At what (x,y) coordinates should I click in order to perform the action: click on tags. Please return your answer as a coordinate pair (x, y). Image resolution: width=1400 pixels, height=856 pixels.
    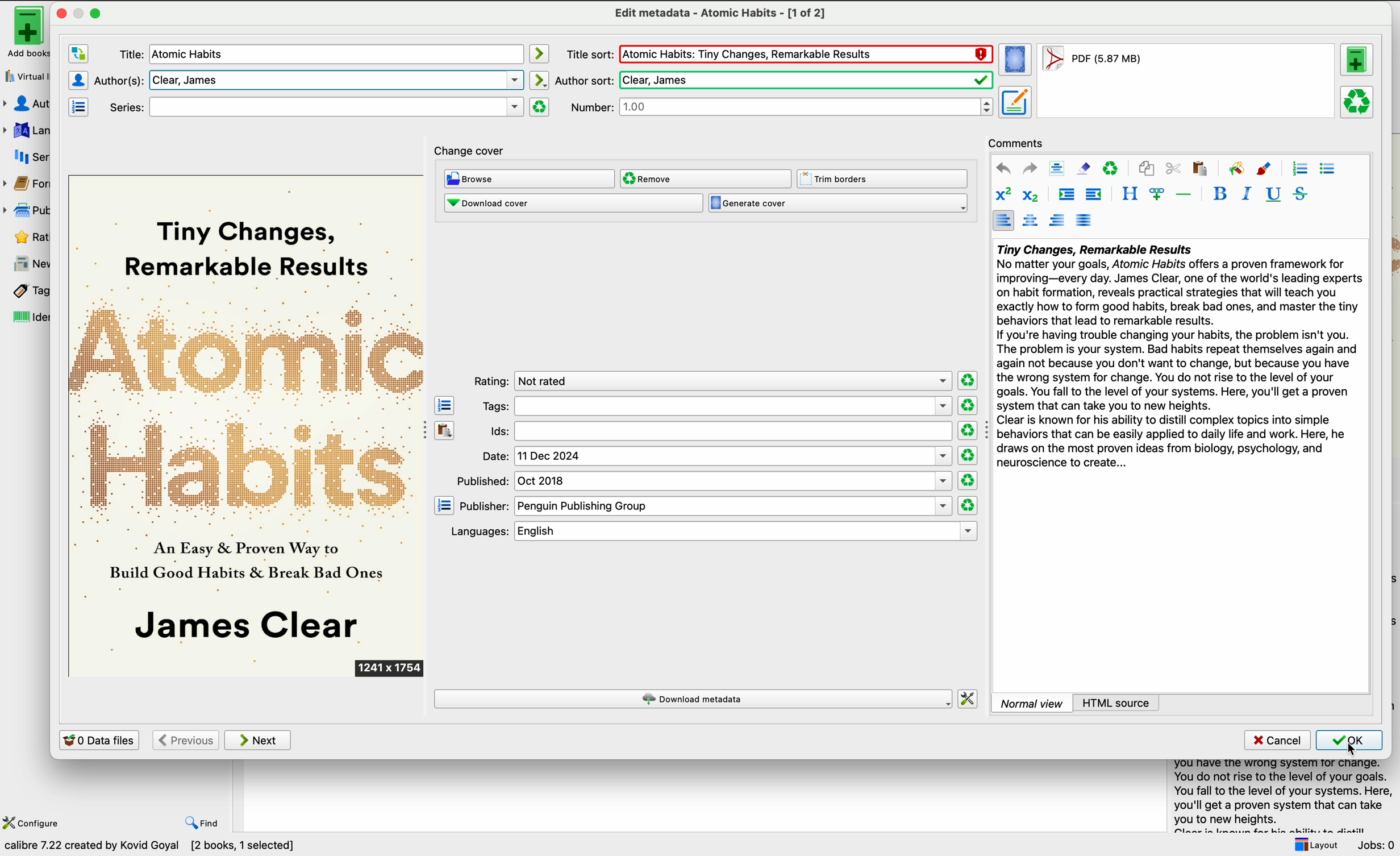
    Looking at the image, I should click on (24, 291).